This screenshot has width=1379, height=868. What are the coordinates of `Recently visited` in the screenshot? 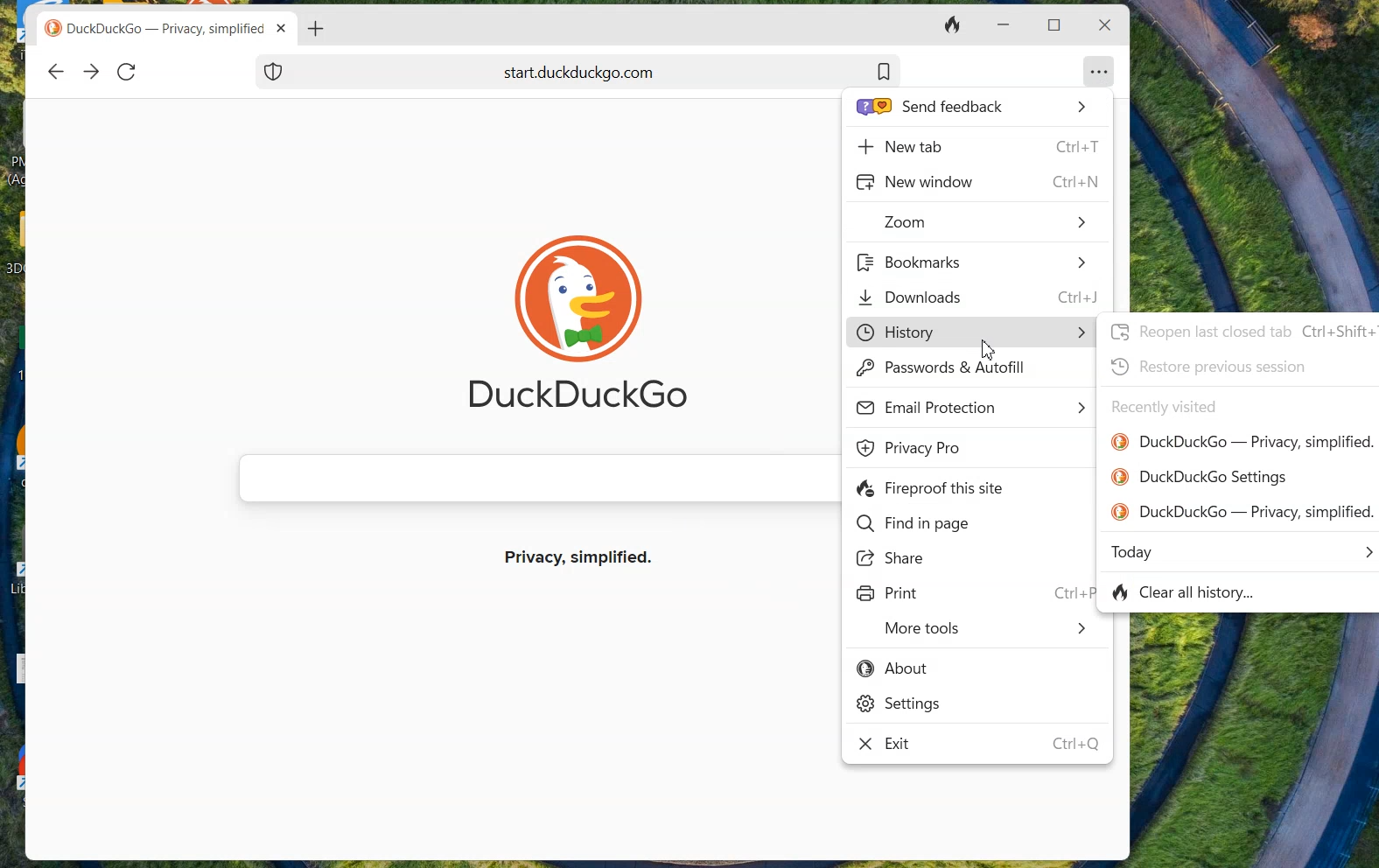 It's located at (1164, 407).